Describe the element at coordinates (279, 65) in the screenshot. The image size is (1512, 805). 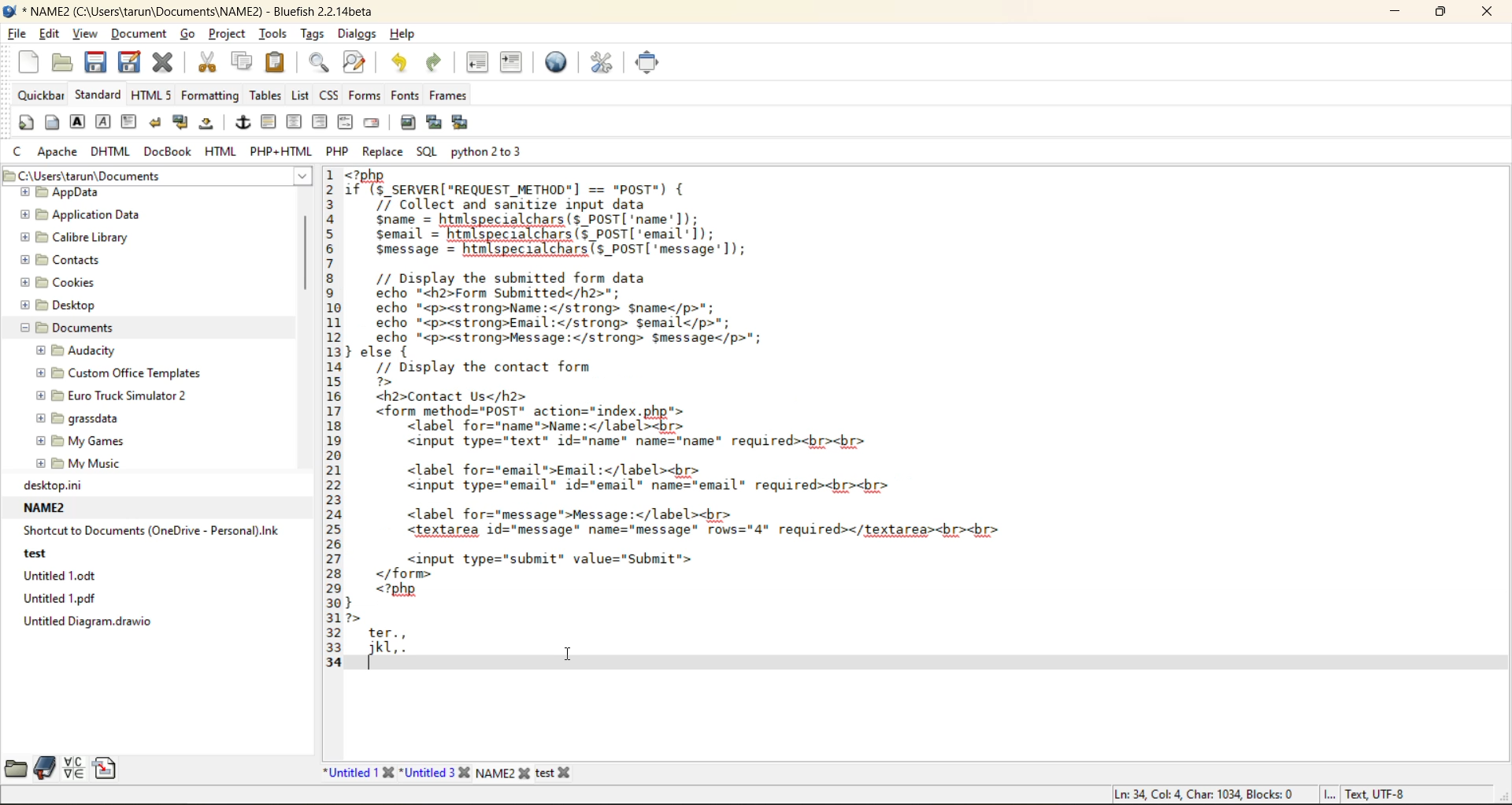
I see `paste` at that location.